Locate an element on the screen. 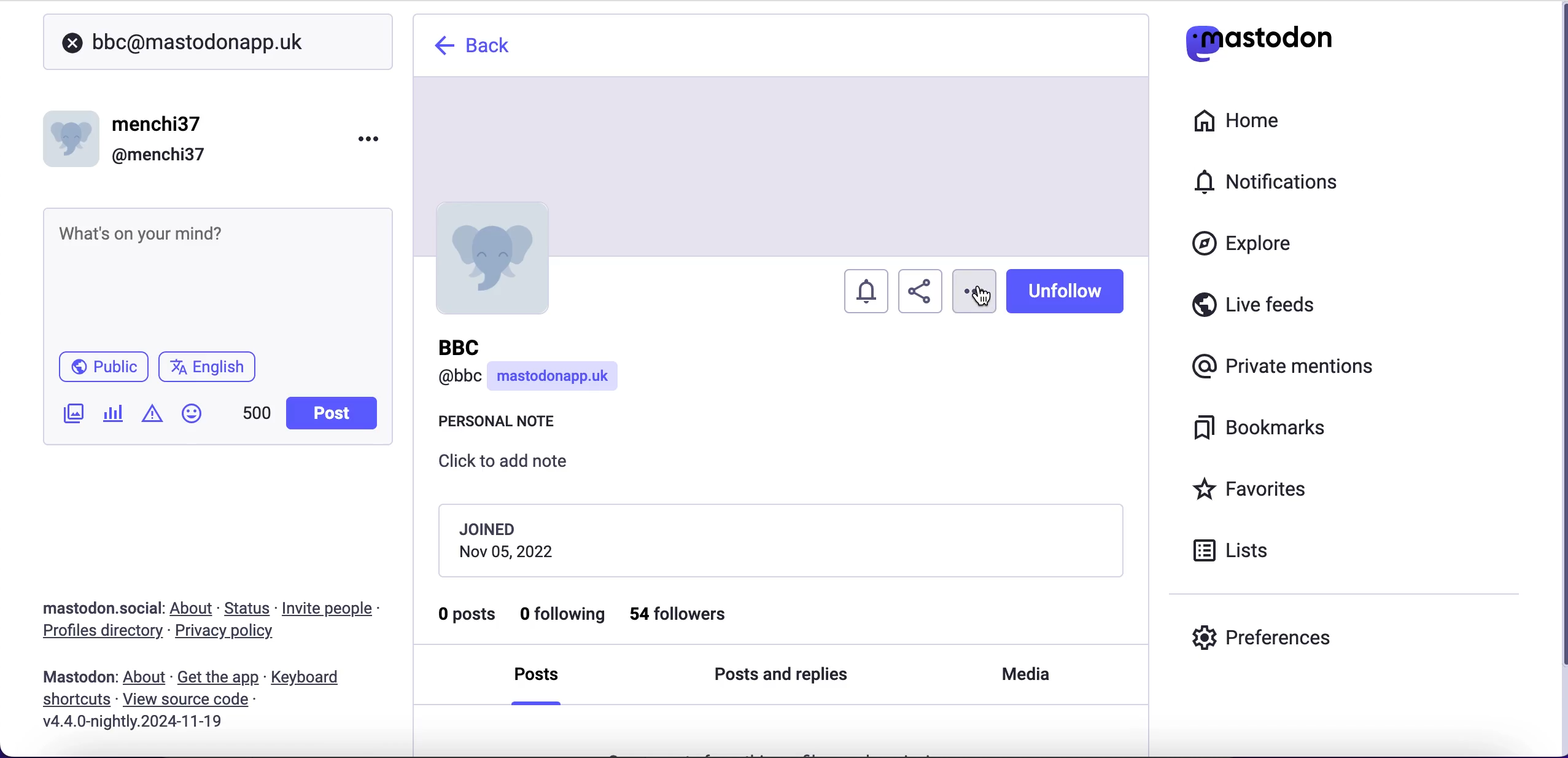  characters is located at coordinates (257, 415).